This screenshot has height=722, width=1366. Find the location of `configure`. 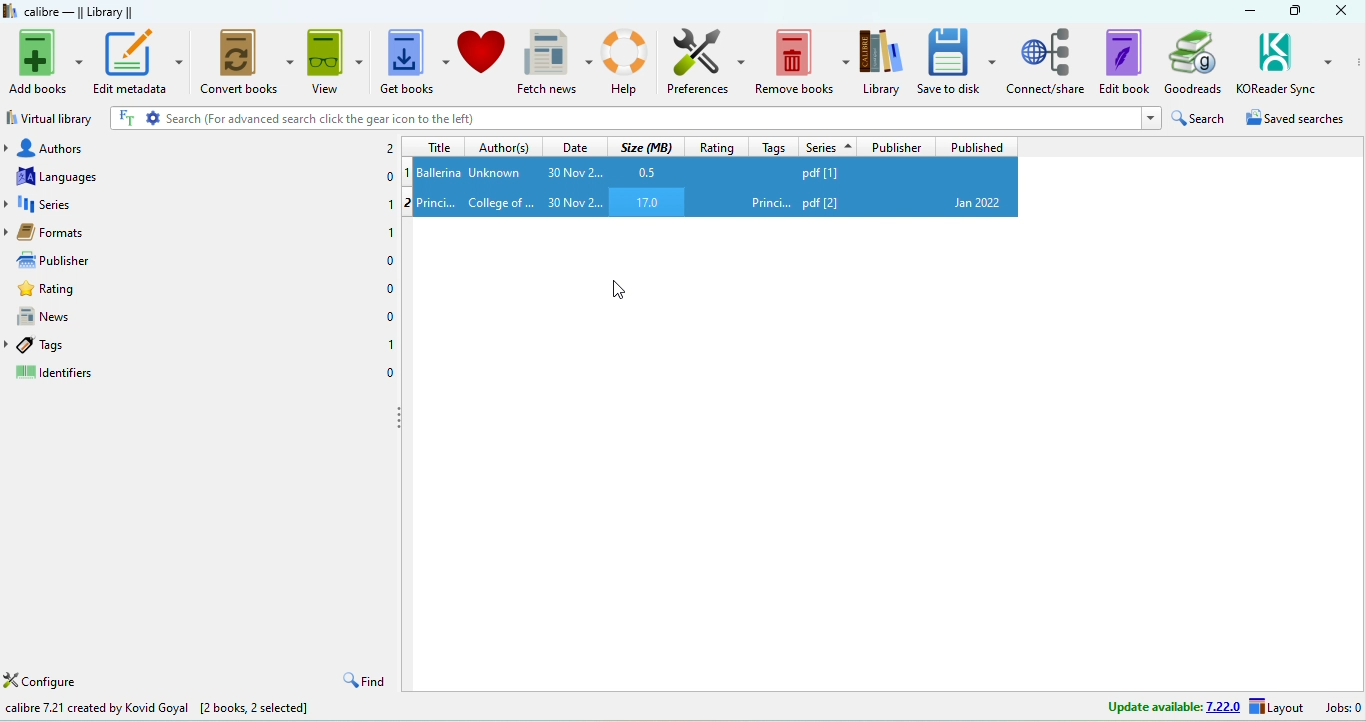

configure is located at coordinates (42, 682).